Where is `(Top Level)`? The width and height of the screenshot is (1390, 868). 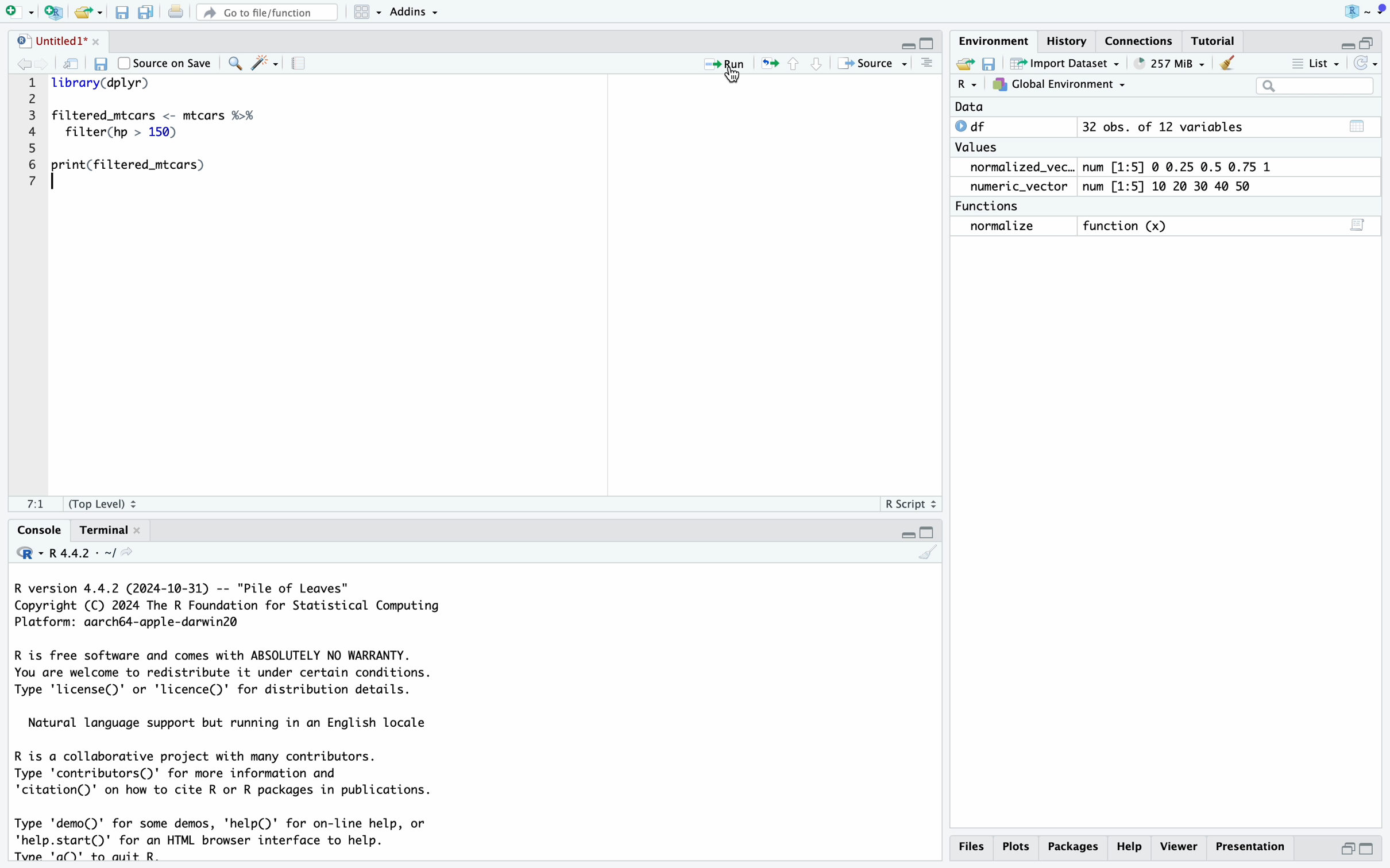 (Top Level) is located at coordinates (101, 506).